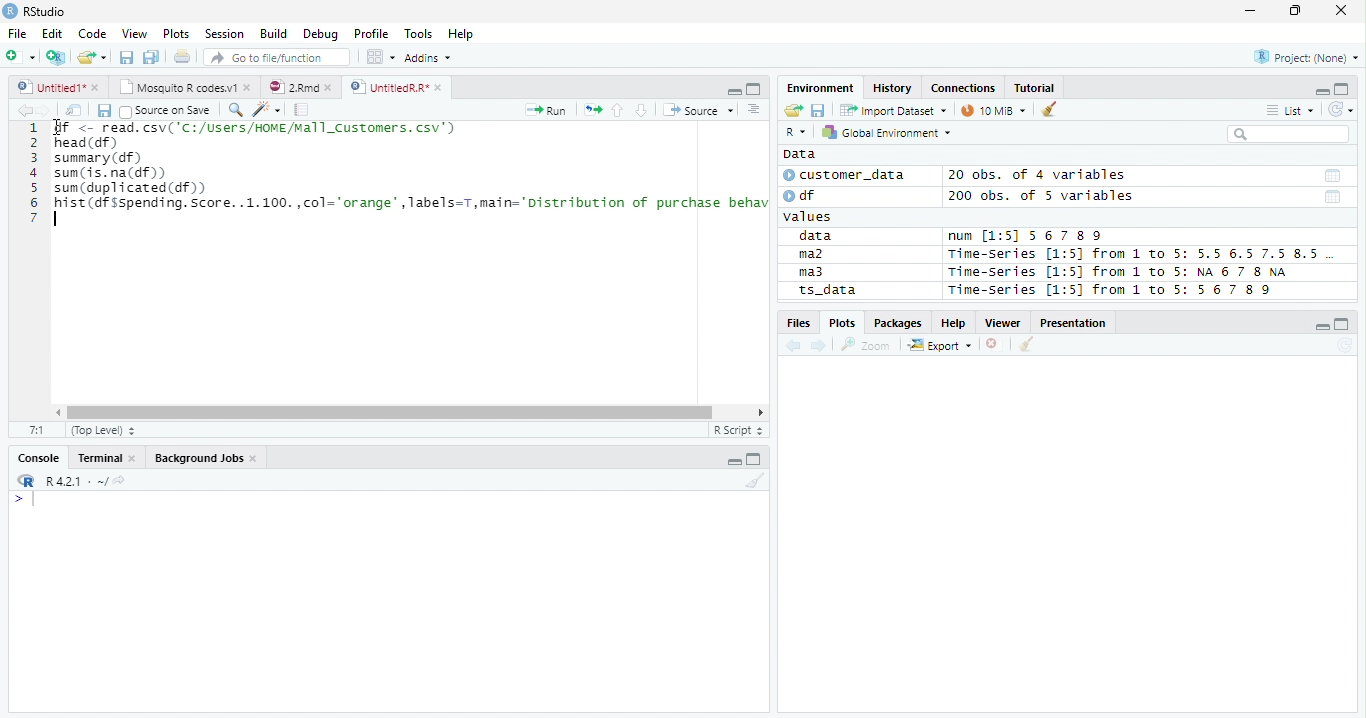 This screenshot has height=718, width=1366. Describe the element at coordinates (822, 88) in the screenshot. I see `Environment` at that location.